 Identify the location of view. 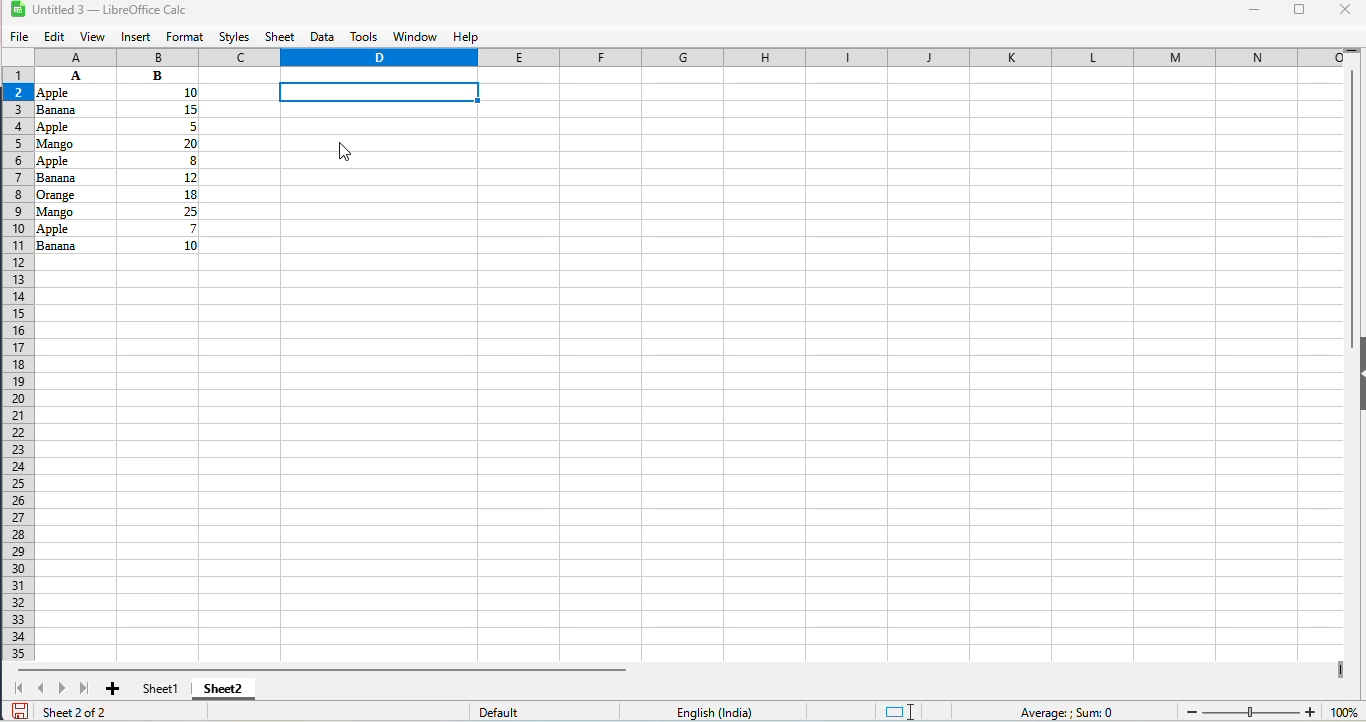
(92, 38).